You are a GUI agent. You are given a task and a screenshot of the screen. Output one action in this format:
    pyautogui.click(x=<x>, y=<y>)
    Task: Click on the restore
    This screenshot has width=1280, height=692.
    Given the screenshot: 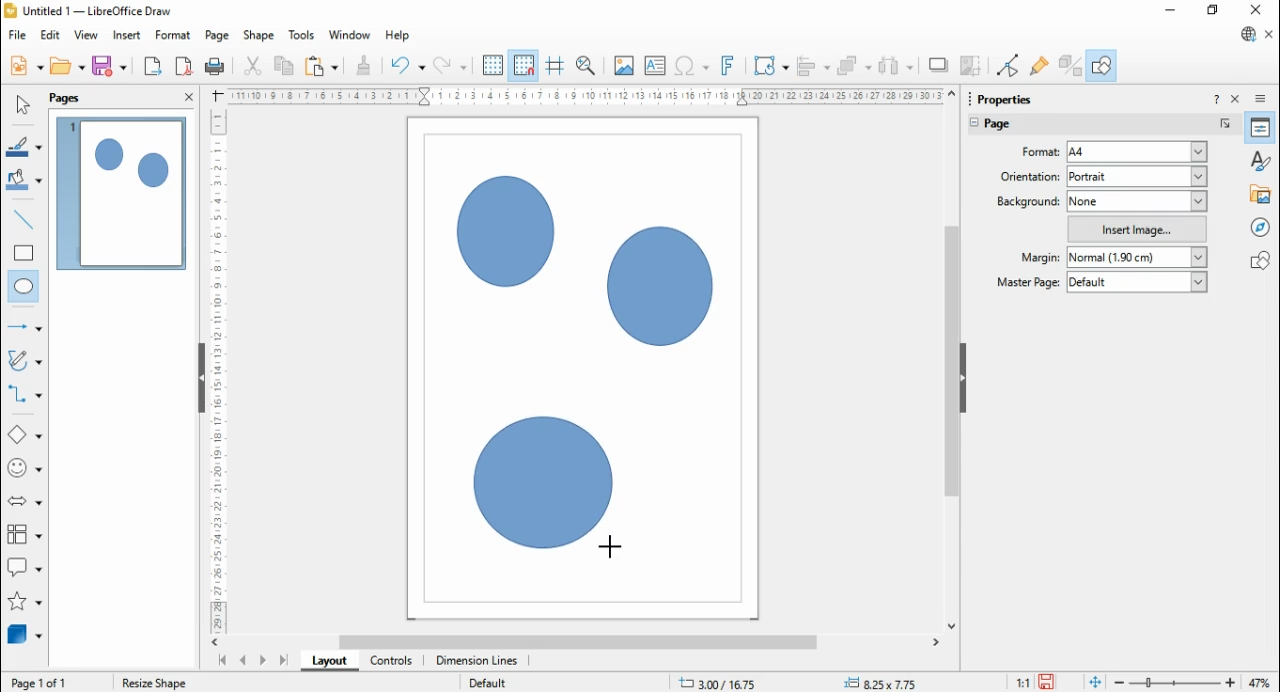 What is the action you would take?
    pyautogui.click(x=1214, y=11)
    